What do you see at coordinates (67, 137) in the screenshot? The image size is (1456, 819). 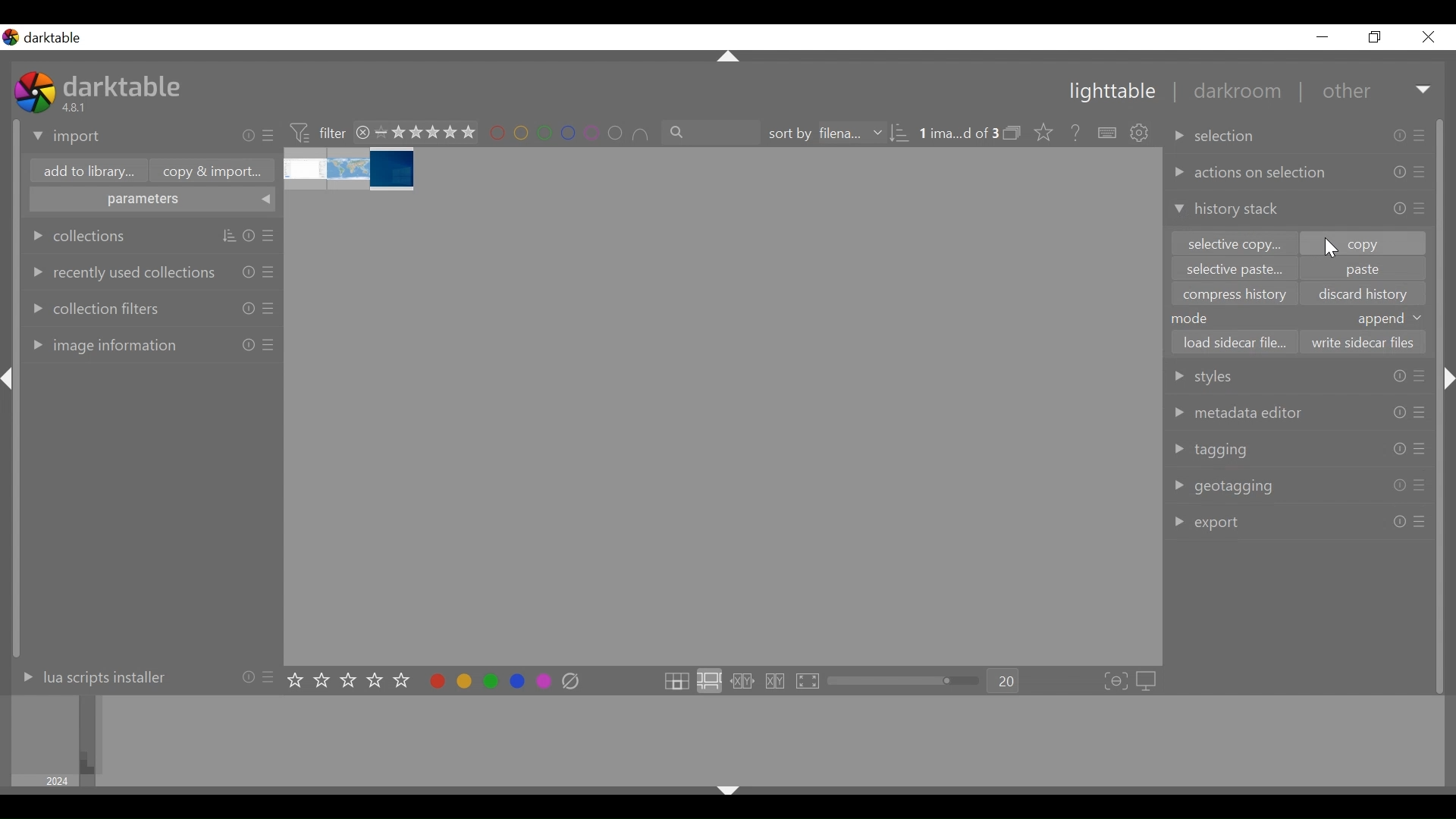 I see `import` at bounding box center [67, 137].